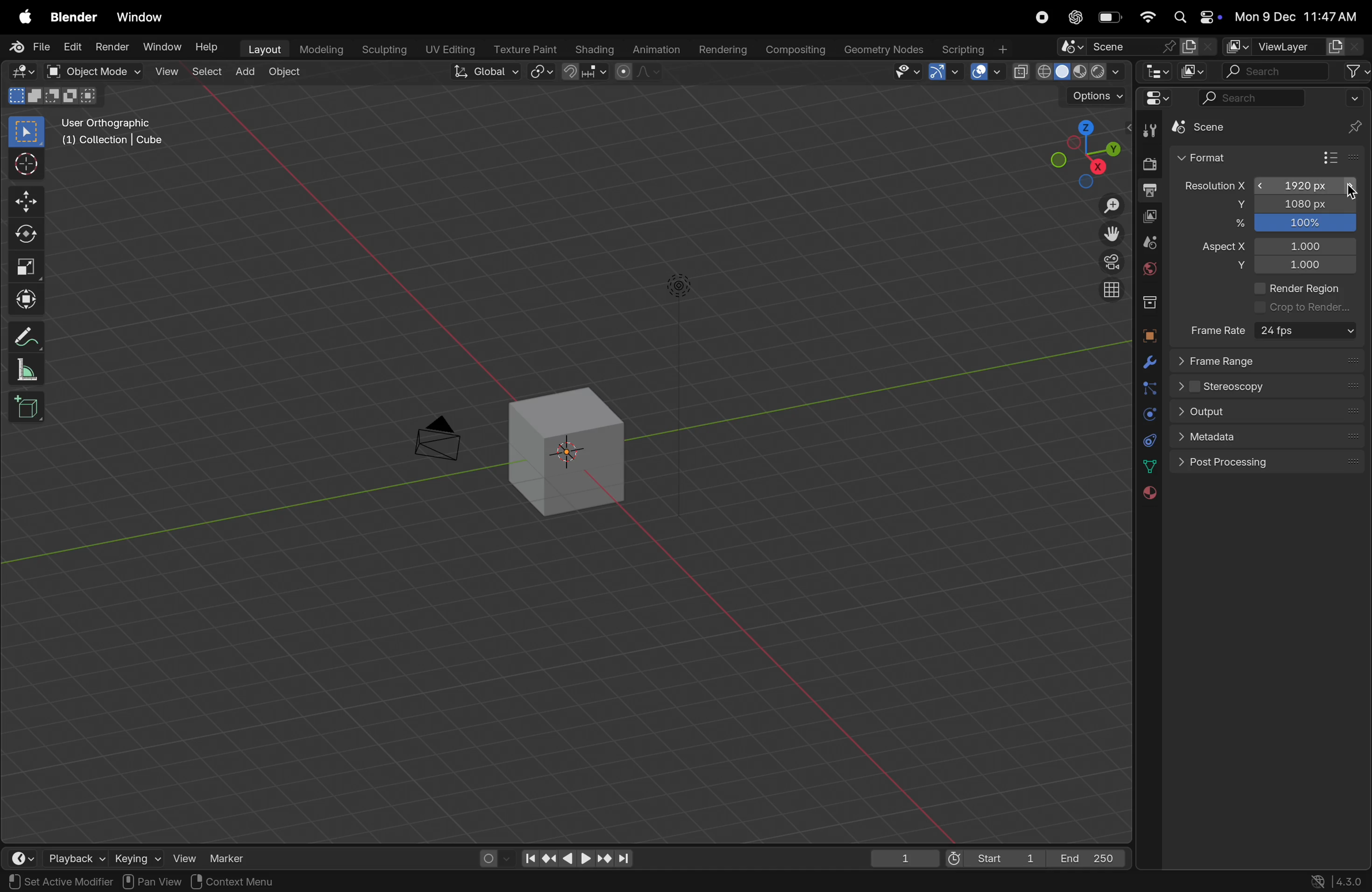 The height and width of the screenshot is (892, 1372). What do you see at coordinates (139, 17) in the screenshot?
I see `window` at bounding box center [139, 17].